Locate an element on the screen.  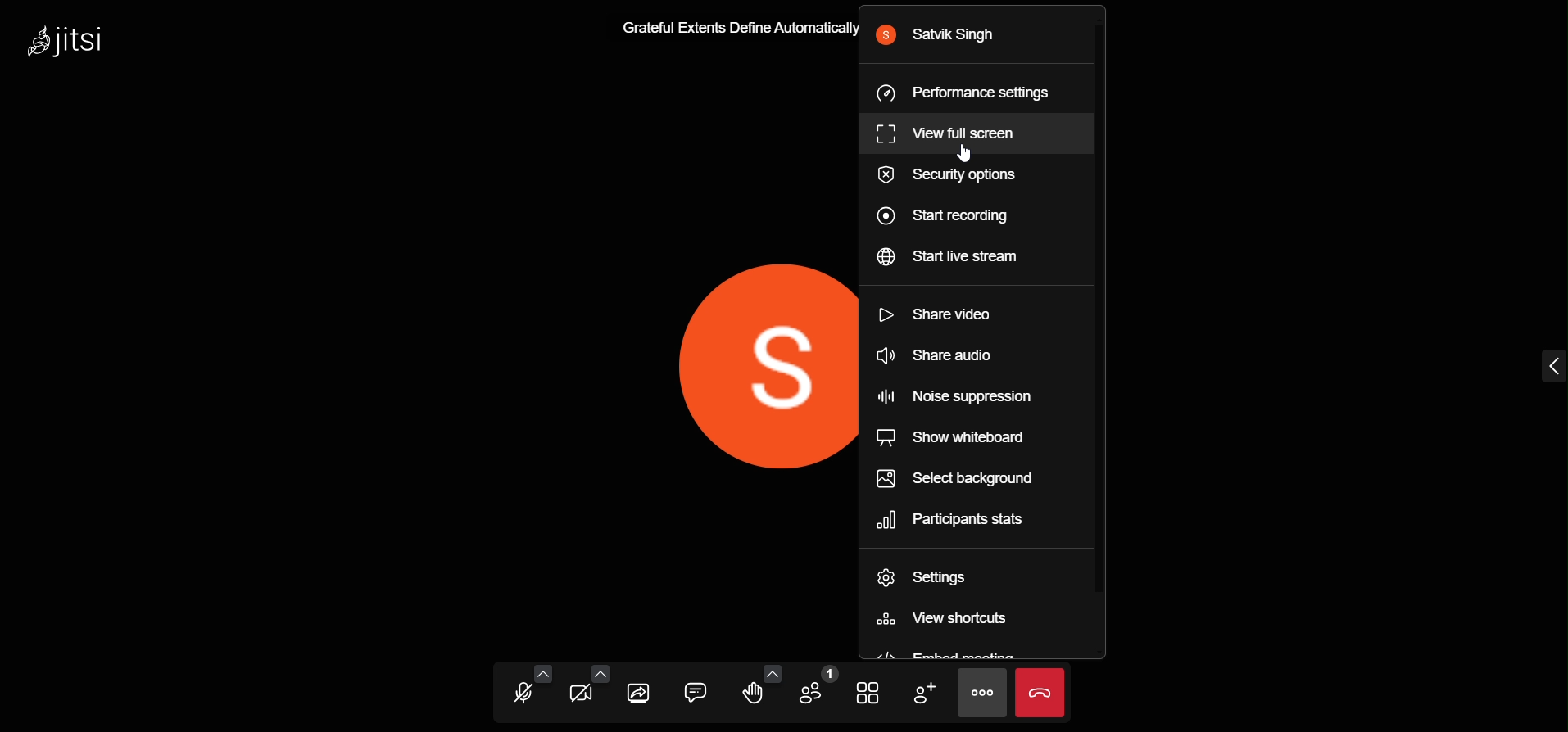
security options is located at coordinates (954, 177).